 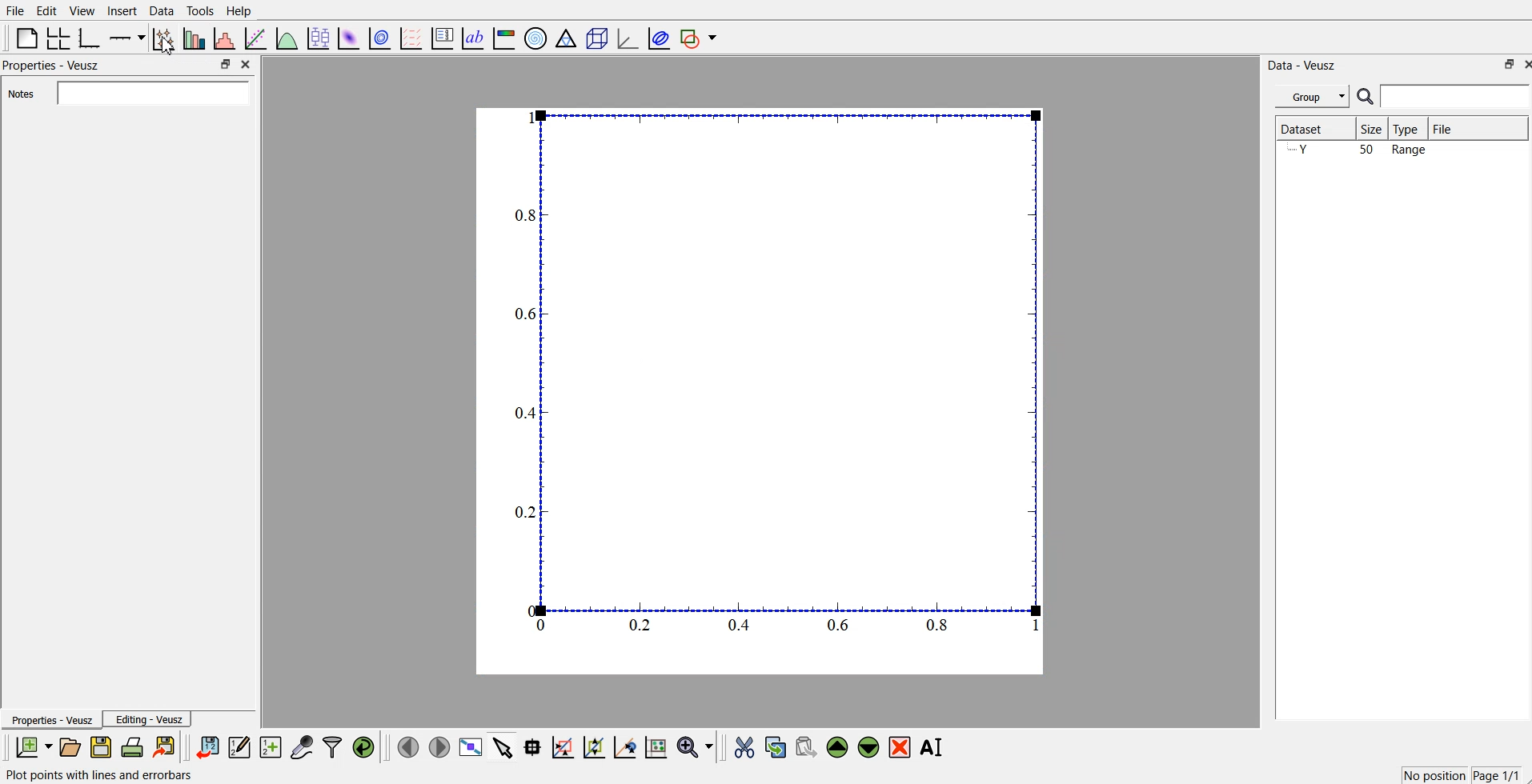 I want to click on rename the selected widgets, so click(x=932, y=747).